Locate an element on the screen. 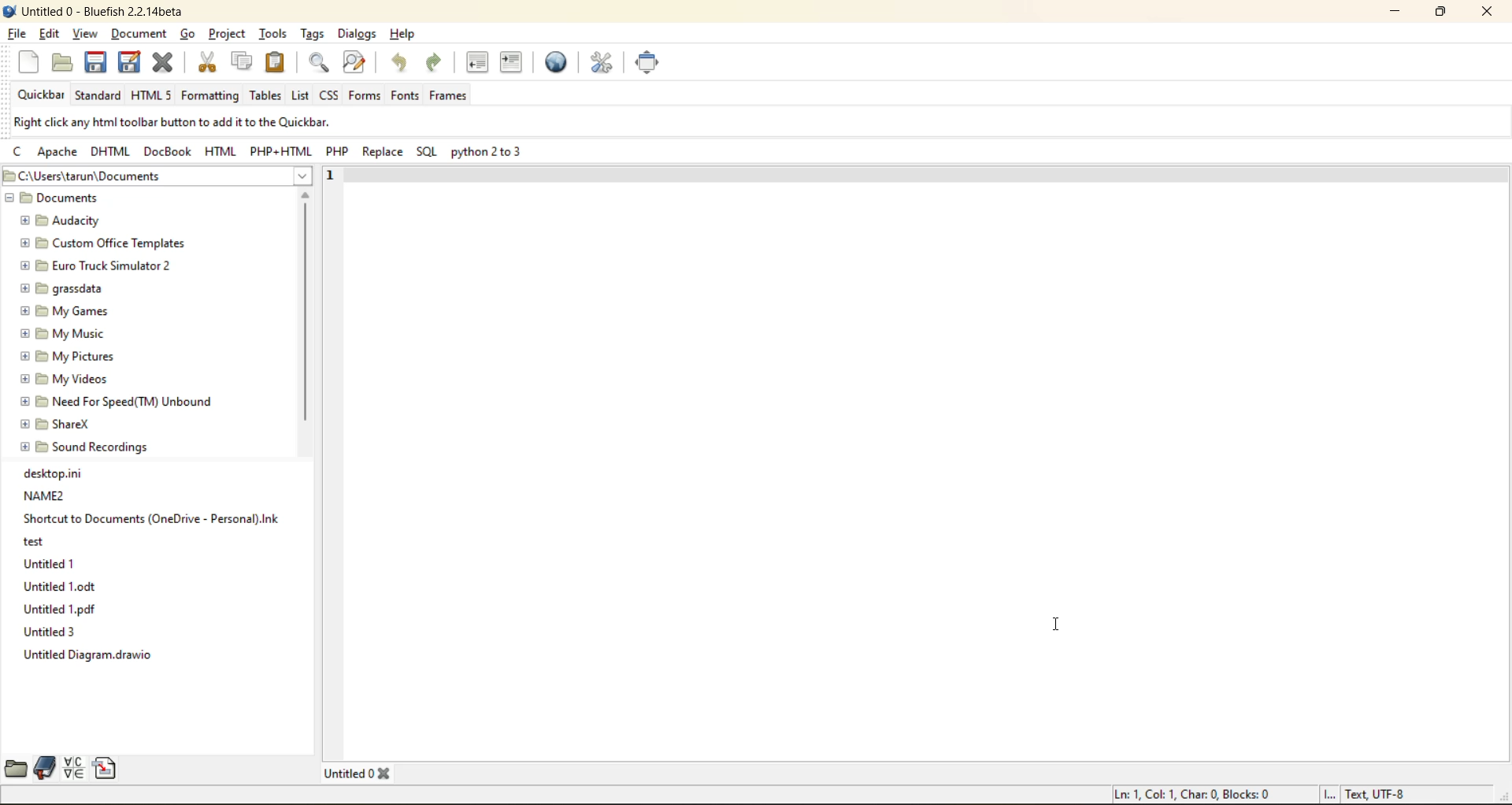 This screenshot has height=805, width=1512. vertical scroll bar is located at coordinates (305, 314).